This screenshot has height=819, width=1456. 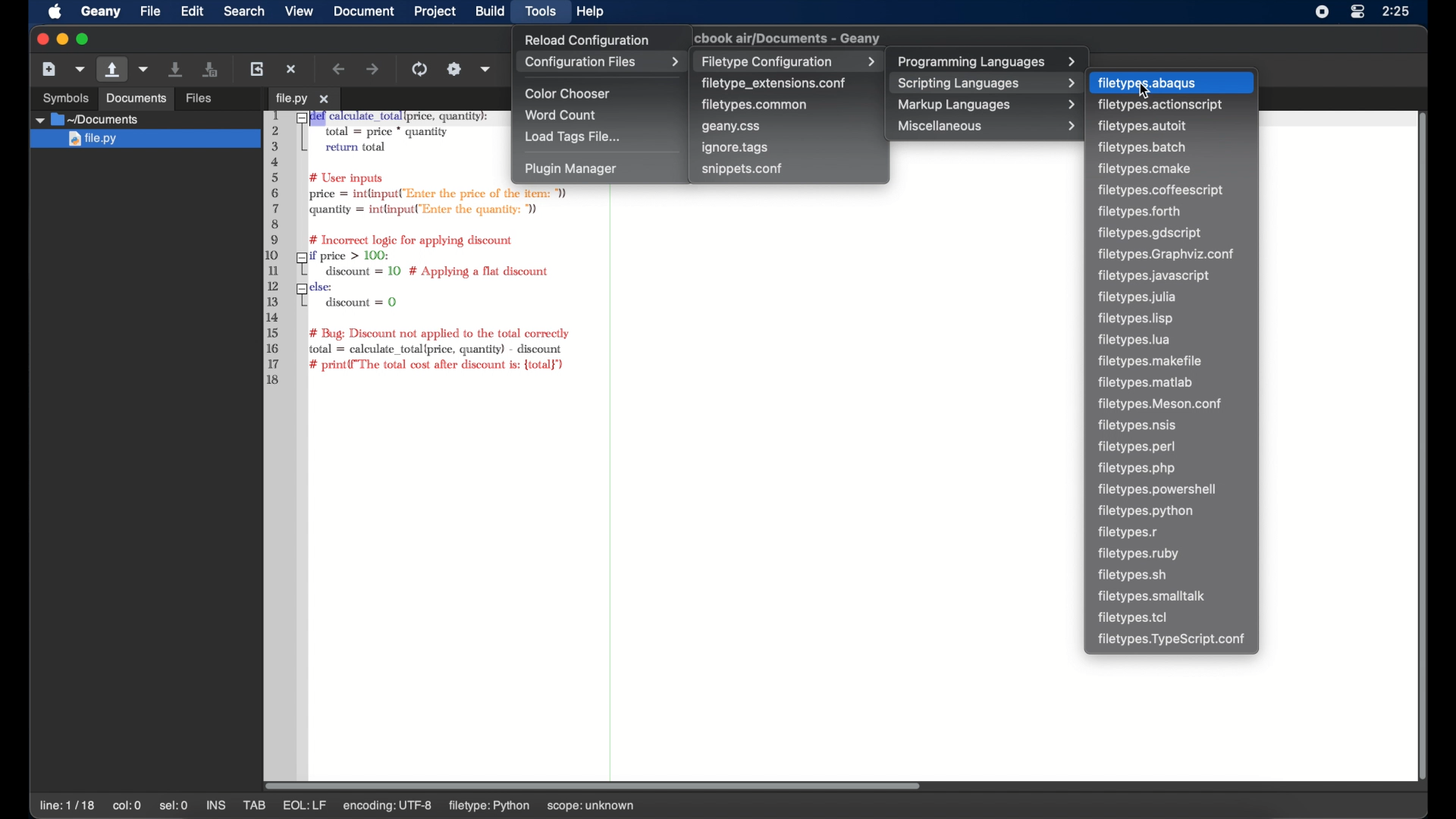 I want to click on scripting languages, so click(x=984, y=83).